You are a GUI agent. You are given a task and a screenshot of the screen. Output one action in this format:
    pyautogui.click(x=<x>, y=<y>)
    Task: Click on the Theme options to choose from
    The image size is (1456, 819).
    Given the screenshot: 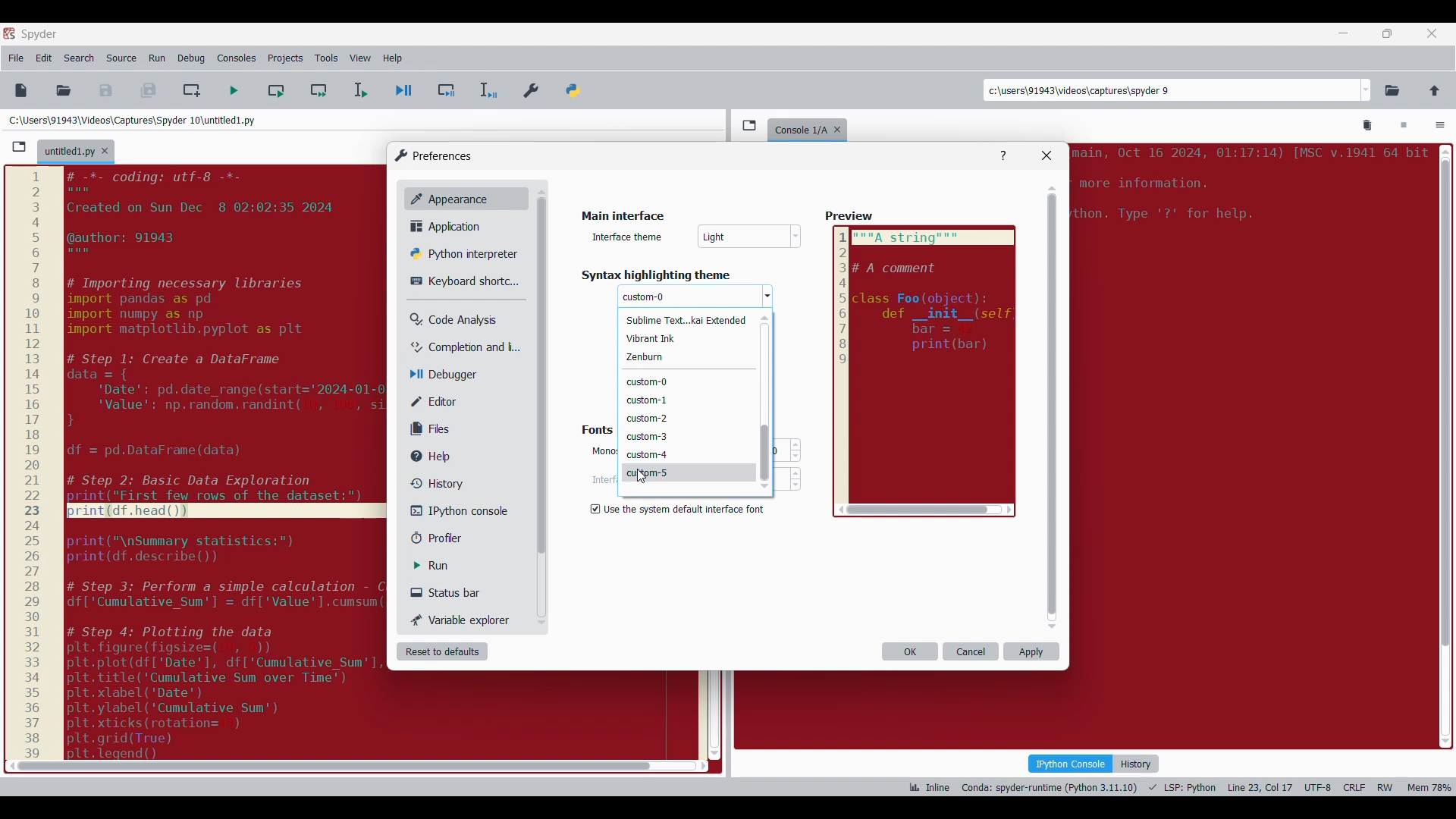 What is the action you would take?
    pyautogui.click(x=689, y=387)
    